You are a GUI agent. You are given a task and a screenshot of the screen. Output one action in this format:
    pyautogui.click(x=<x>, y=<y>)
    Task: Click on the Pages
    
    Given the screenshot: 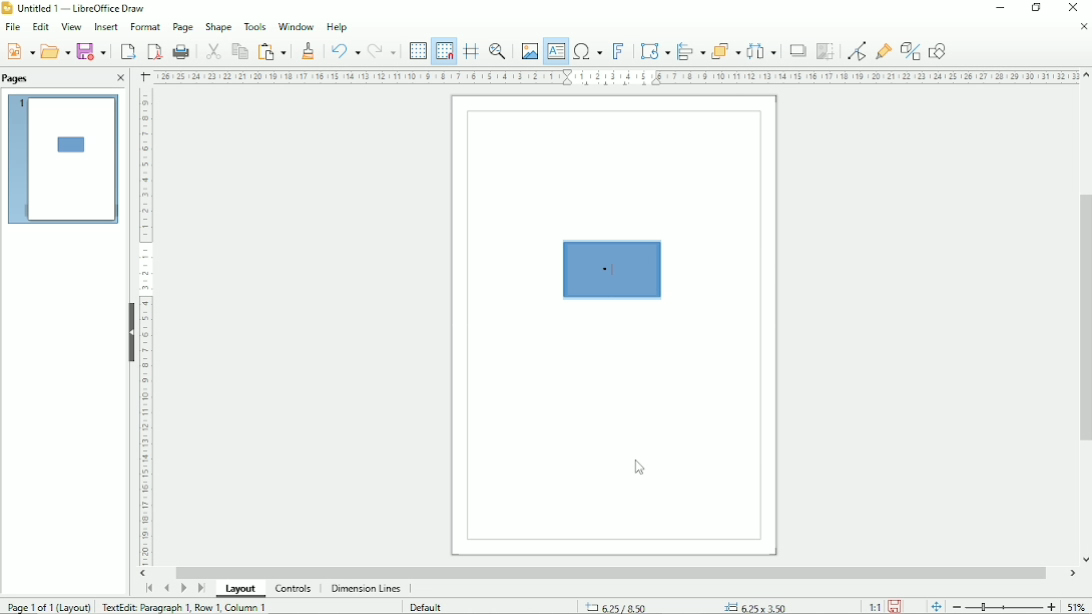 What is the action you would take?
    pyautogui.click(x=16, y=79)
    